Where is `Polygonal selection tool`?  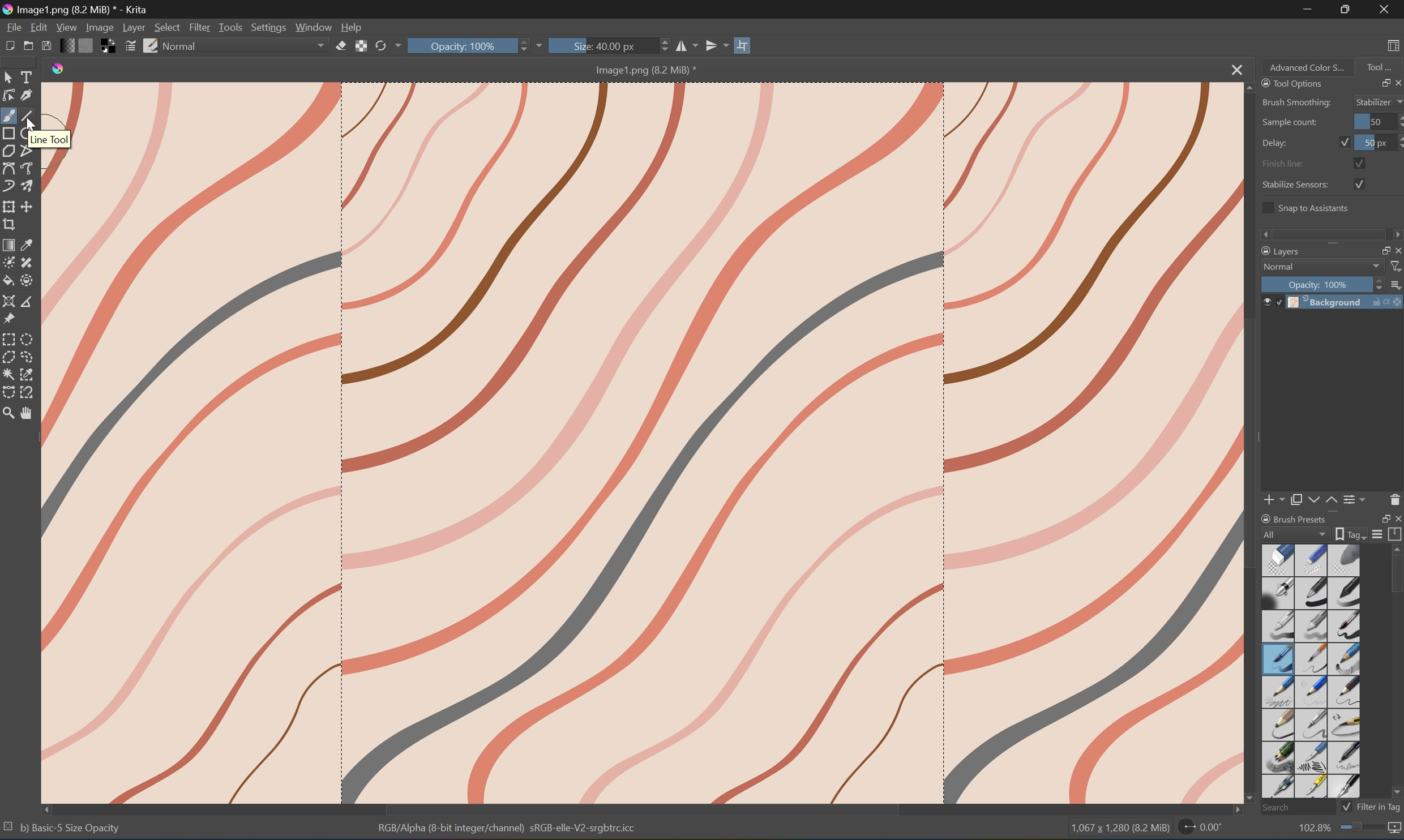 Polygonal selection tool is located at coordinates (9, 357).